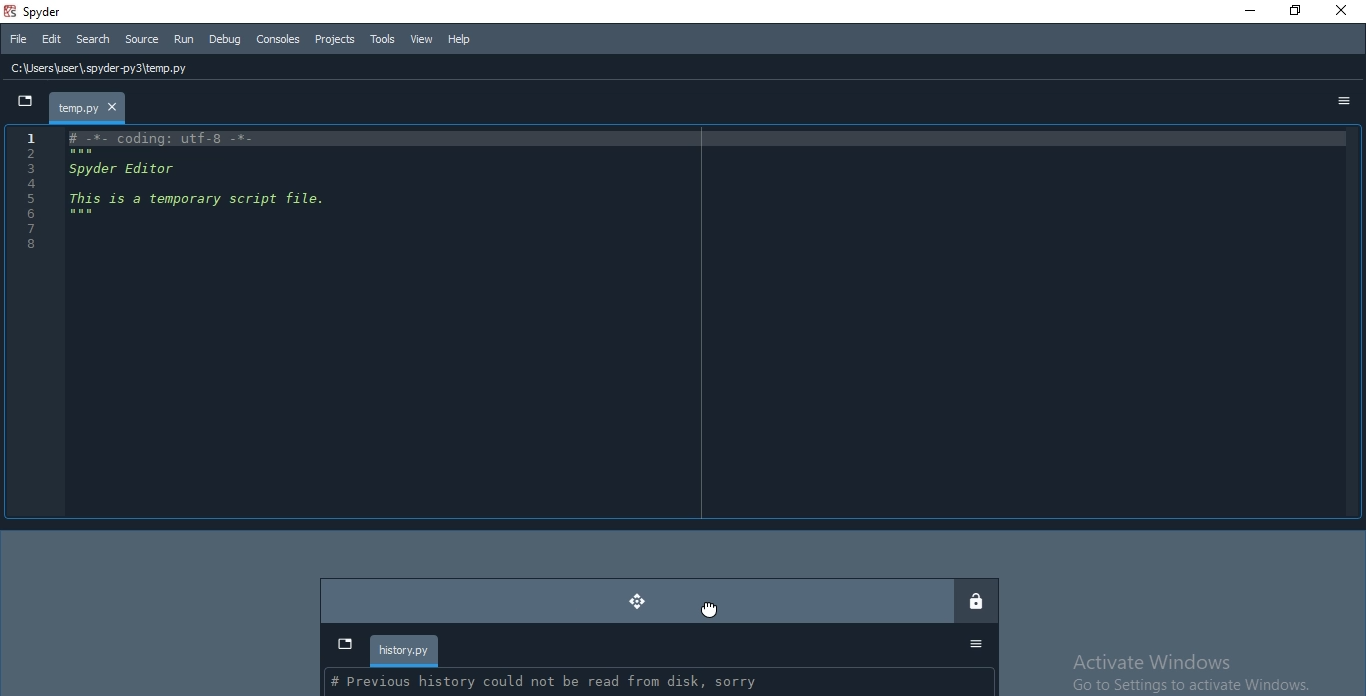  I want to click on lock, so click(977, 599).